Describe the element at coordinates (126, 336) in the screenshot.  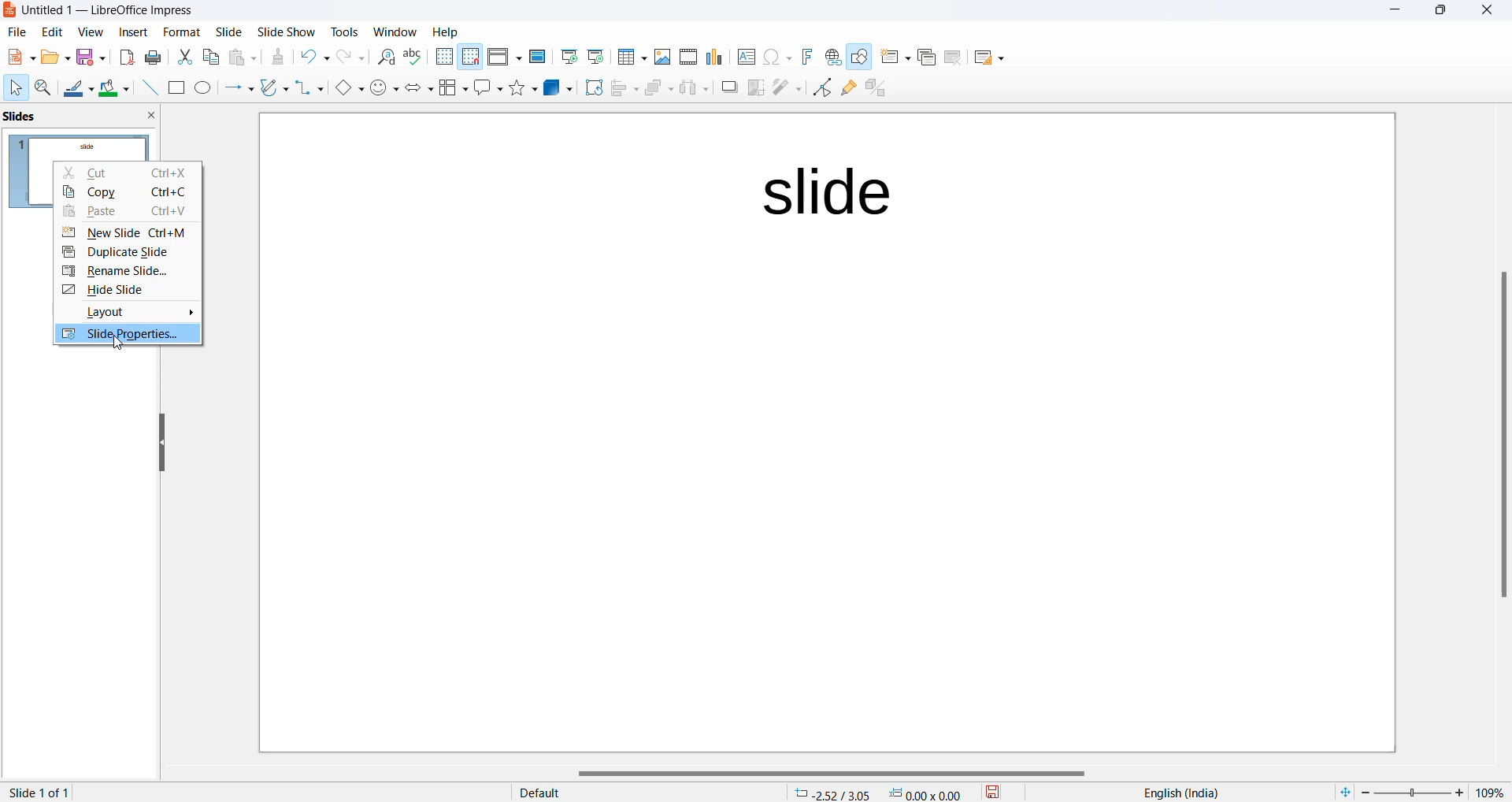
I see `side properties` at that location.